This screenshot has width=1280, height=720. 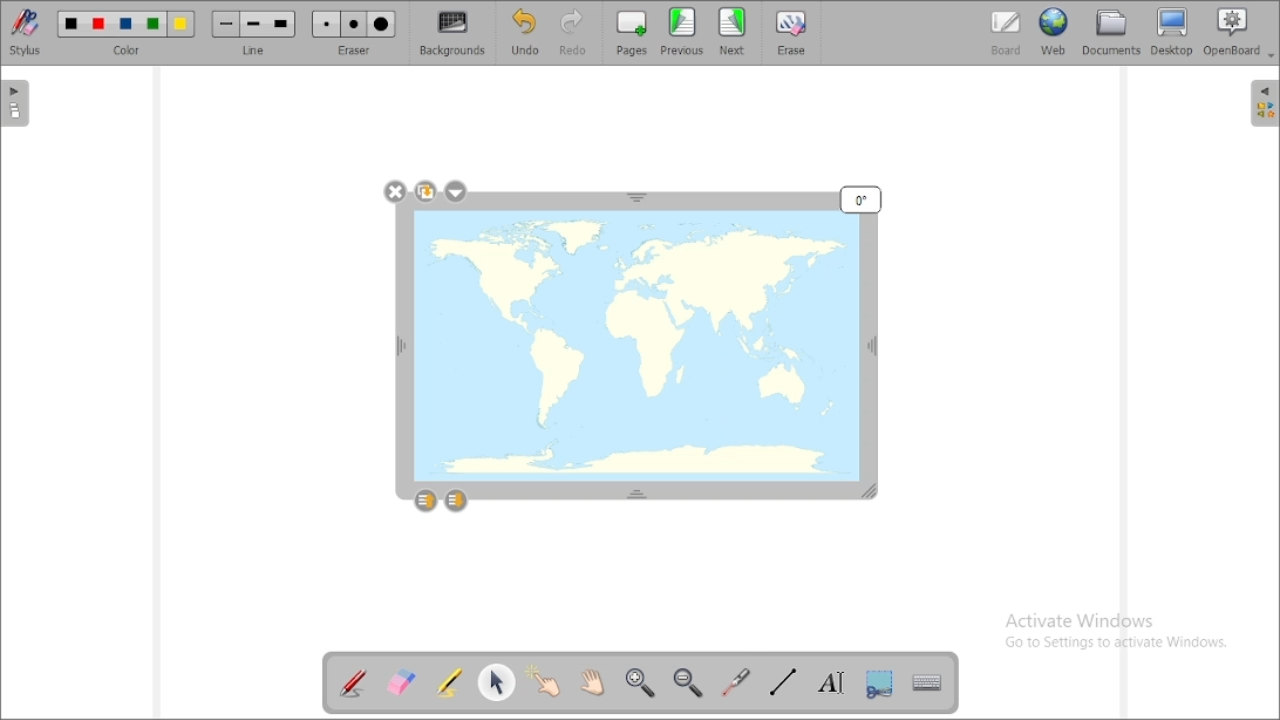 What do you see at coordinates (926, 682) in the screenshot?
I see `display virtual keyboard` at bounding box center [926, 682].